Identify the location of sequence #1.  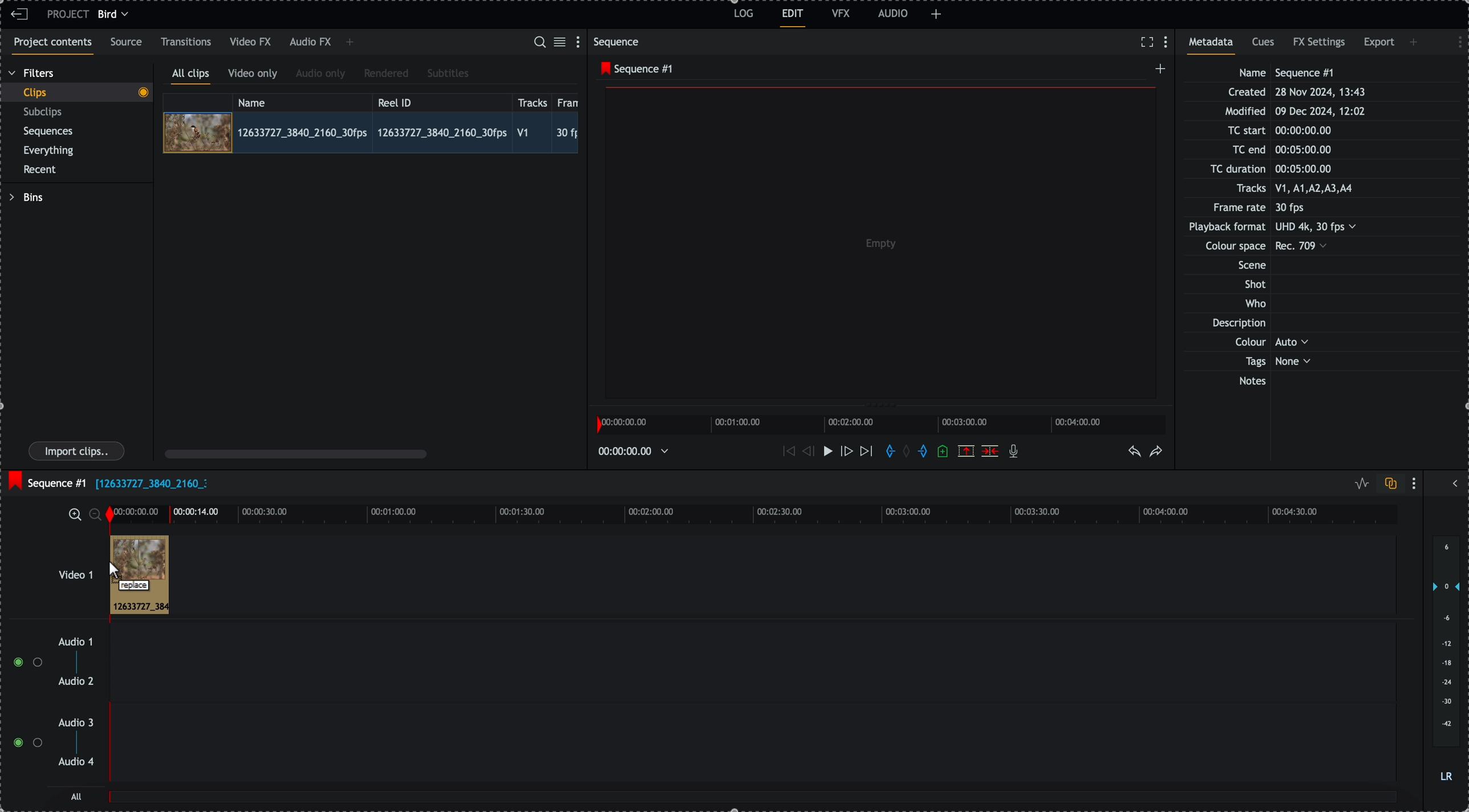
(46, 480).